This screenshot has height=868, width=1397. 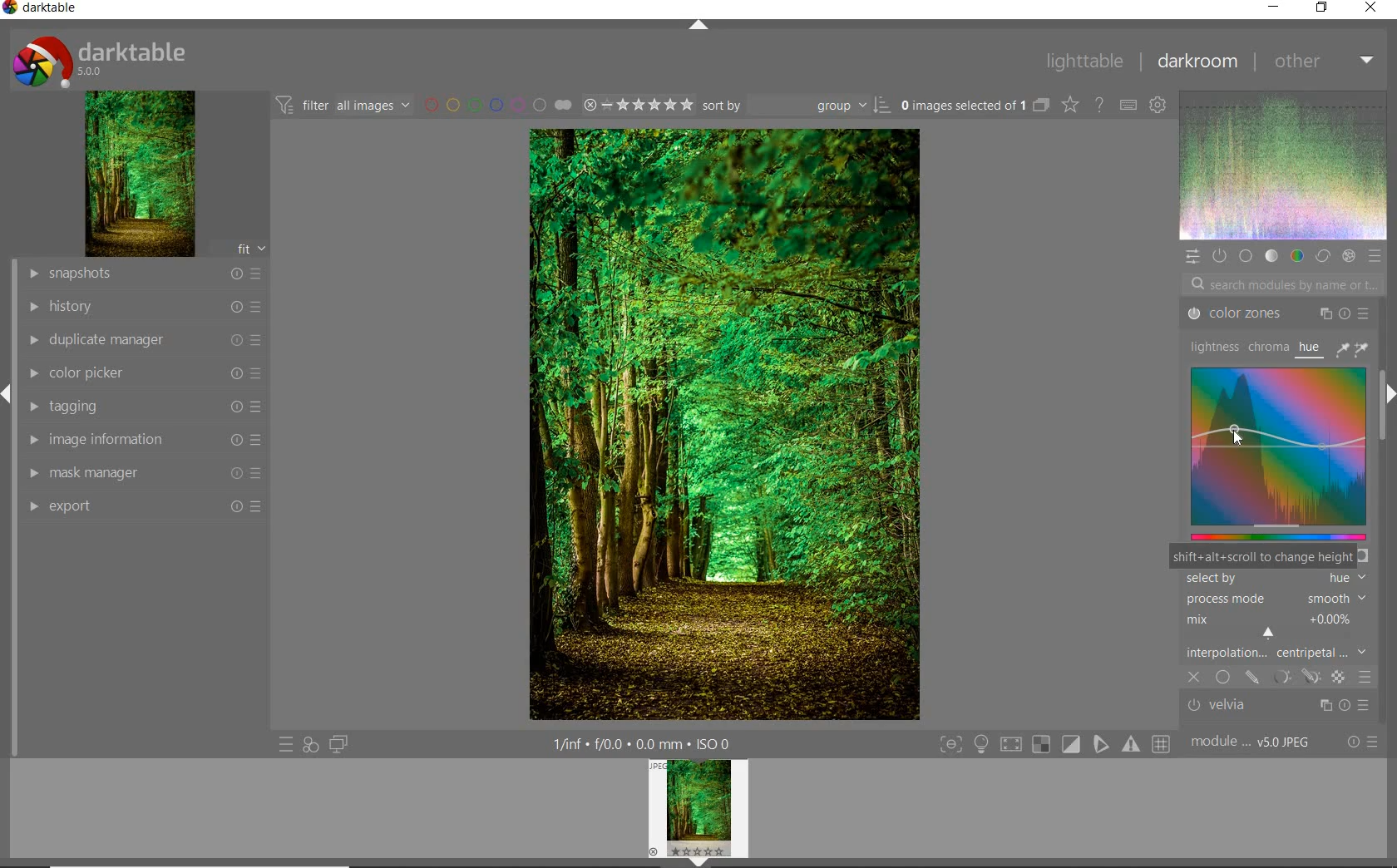 What do you see at coordinates (146, 441) in the screenshot?
I see `IMAGE INFORMATION` at bounding box center [146, 441].